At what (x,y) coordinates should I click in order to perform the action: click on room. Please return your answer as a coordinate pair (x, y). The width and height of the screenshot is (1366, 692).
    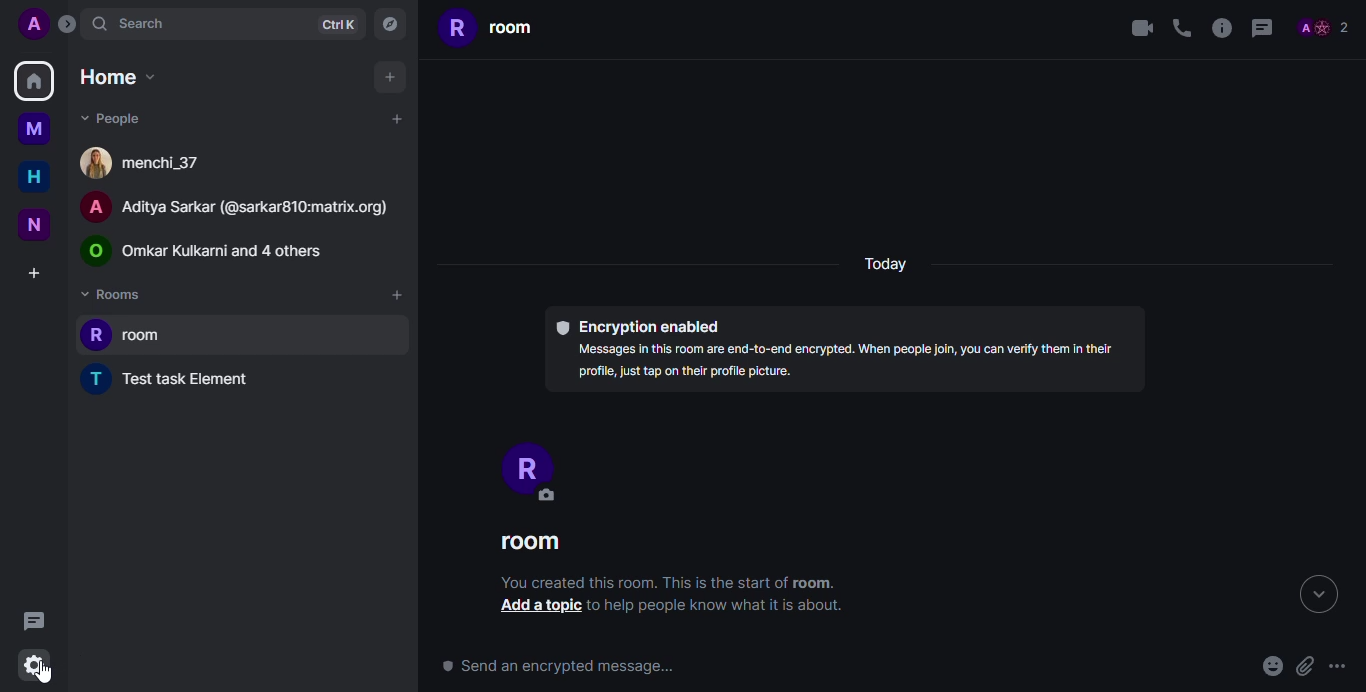
    Looking at the image, I should click on (489, 27).